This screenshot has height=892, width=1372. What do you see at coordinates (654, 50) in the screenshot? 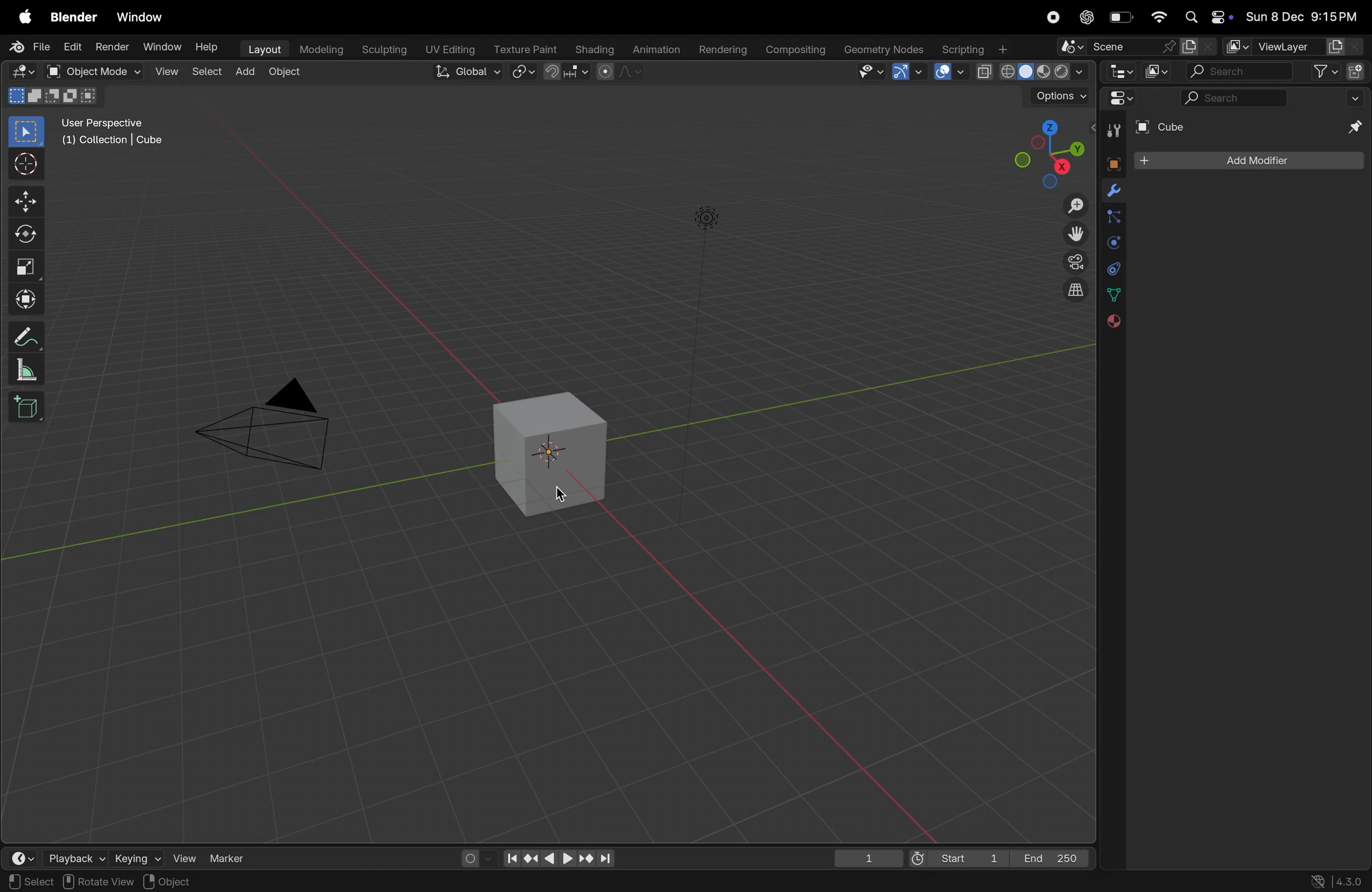
I see `animations` at bounding box center [654, 50].